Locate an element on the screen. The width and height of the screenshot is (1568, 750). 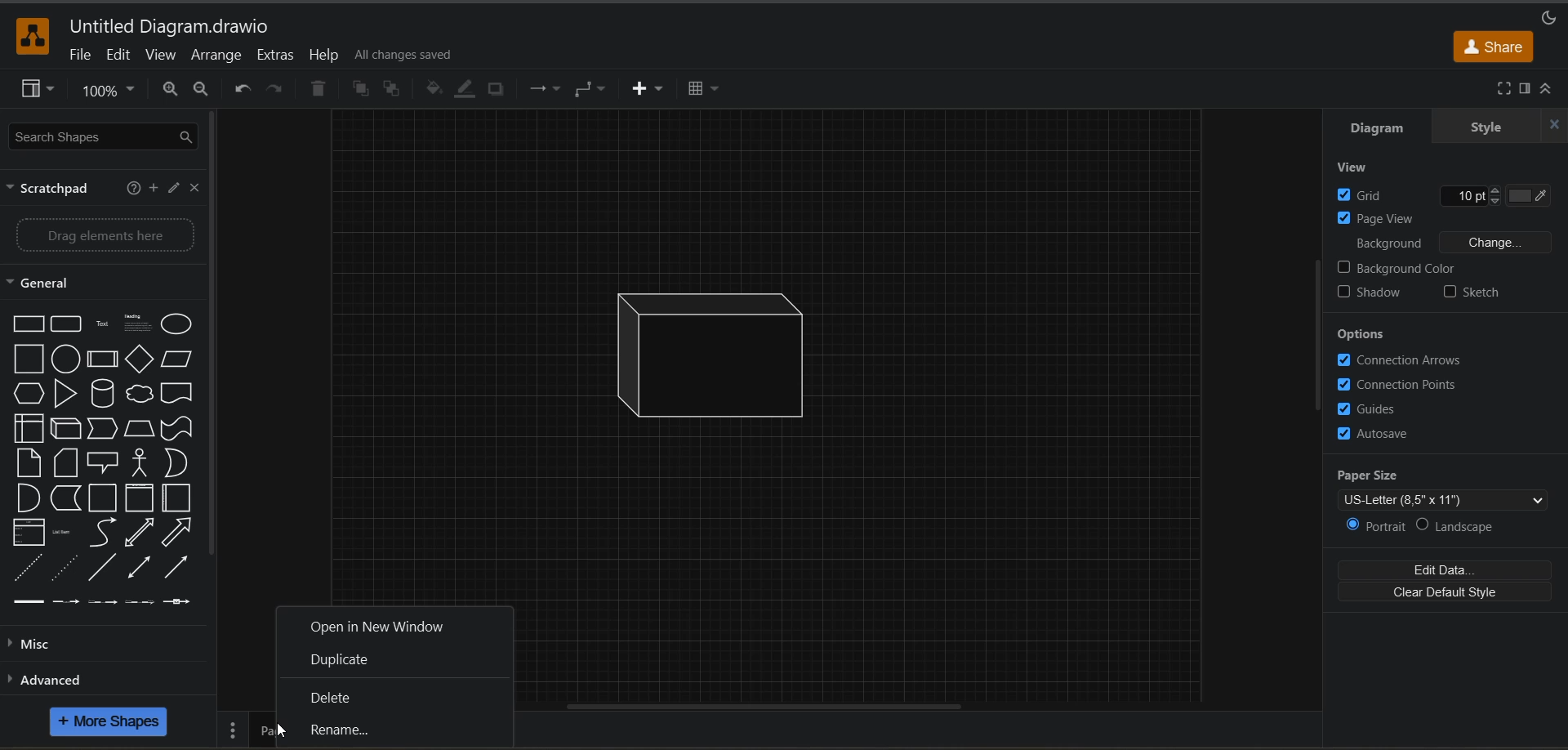
rename is located at coordinates (346, 730).